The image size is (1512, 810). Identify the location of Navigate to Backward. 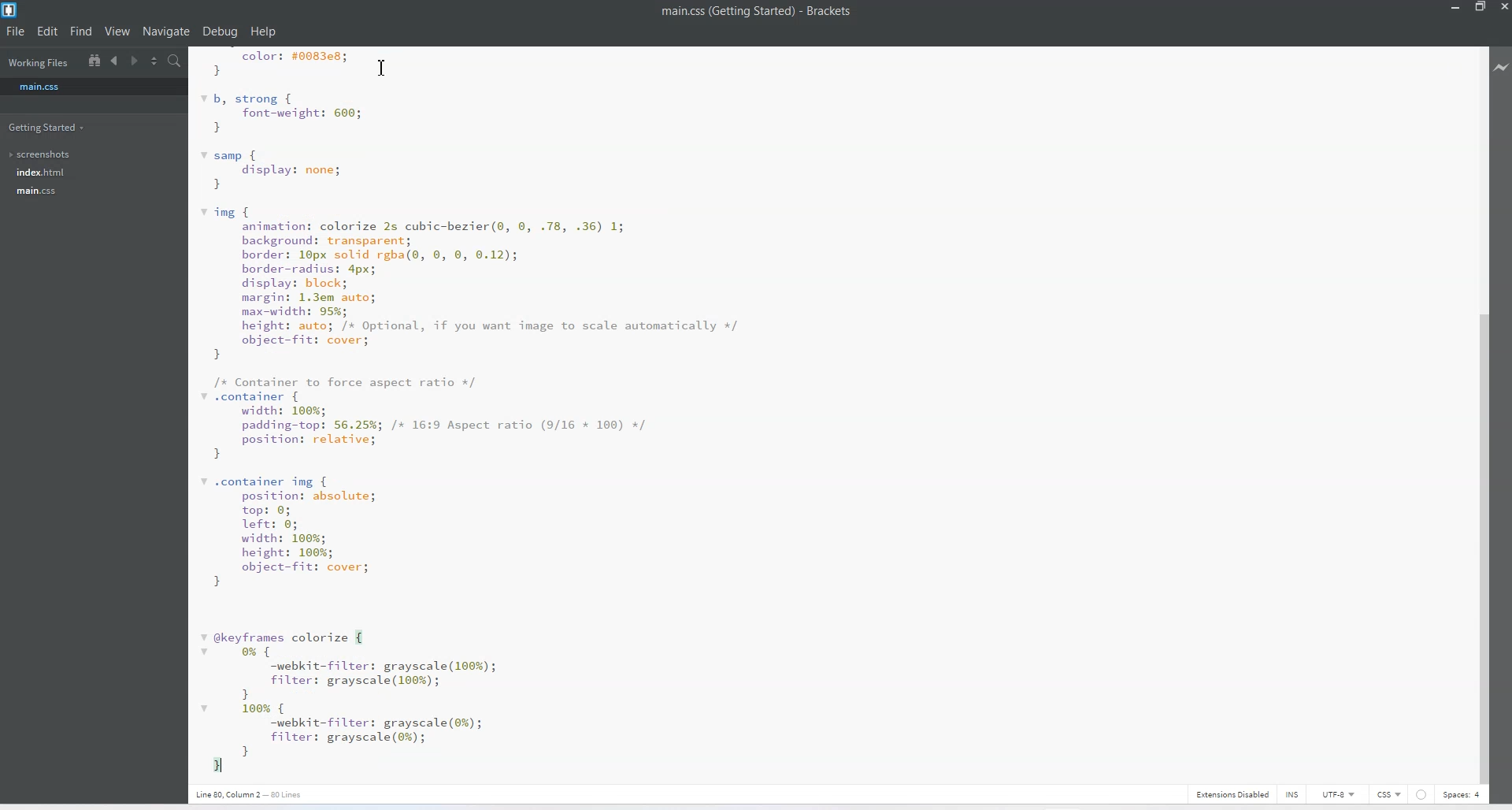
(116, 61).